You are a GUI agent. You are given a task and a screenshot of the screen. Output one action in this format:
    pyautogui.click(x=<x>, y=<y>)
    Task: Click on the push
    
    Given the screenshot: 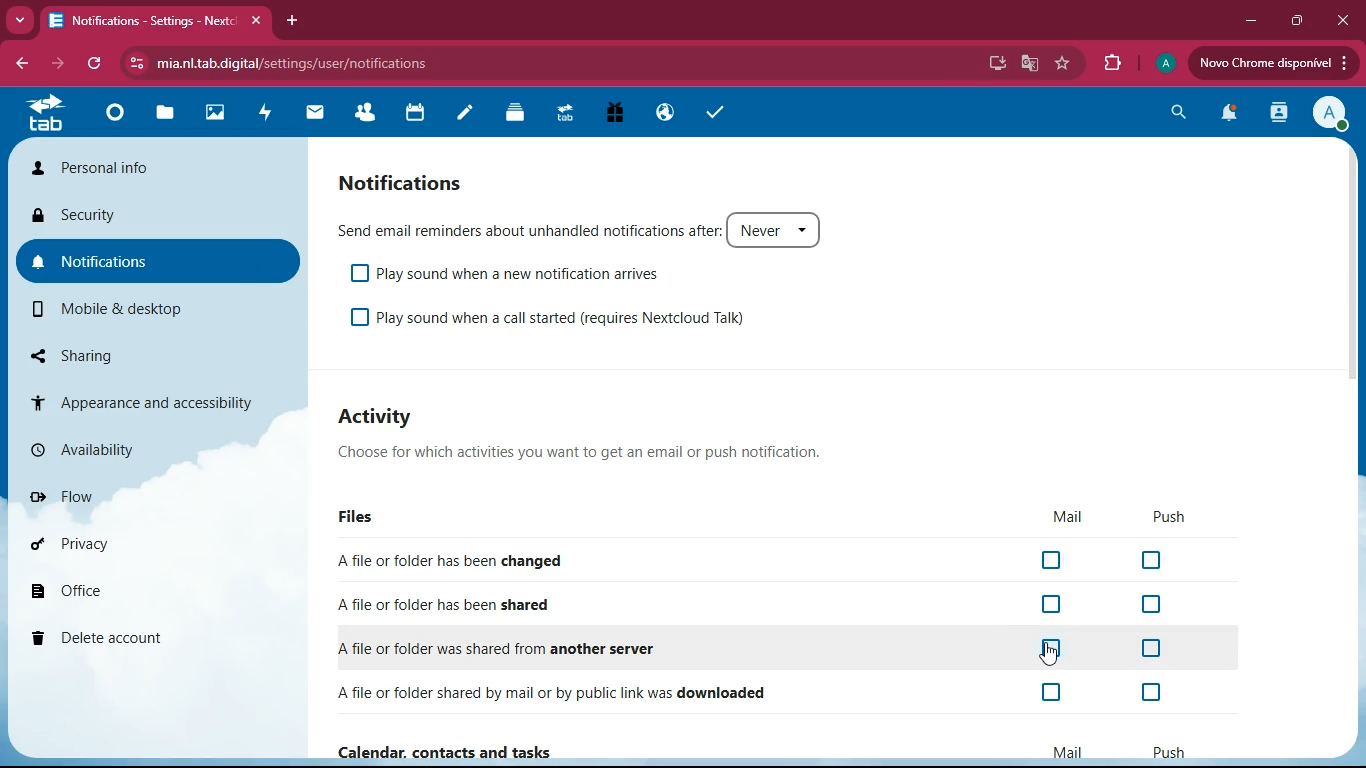 What is the action you would take?
    pyautogui.click(x=1172, y=519)
    